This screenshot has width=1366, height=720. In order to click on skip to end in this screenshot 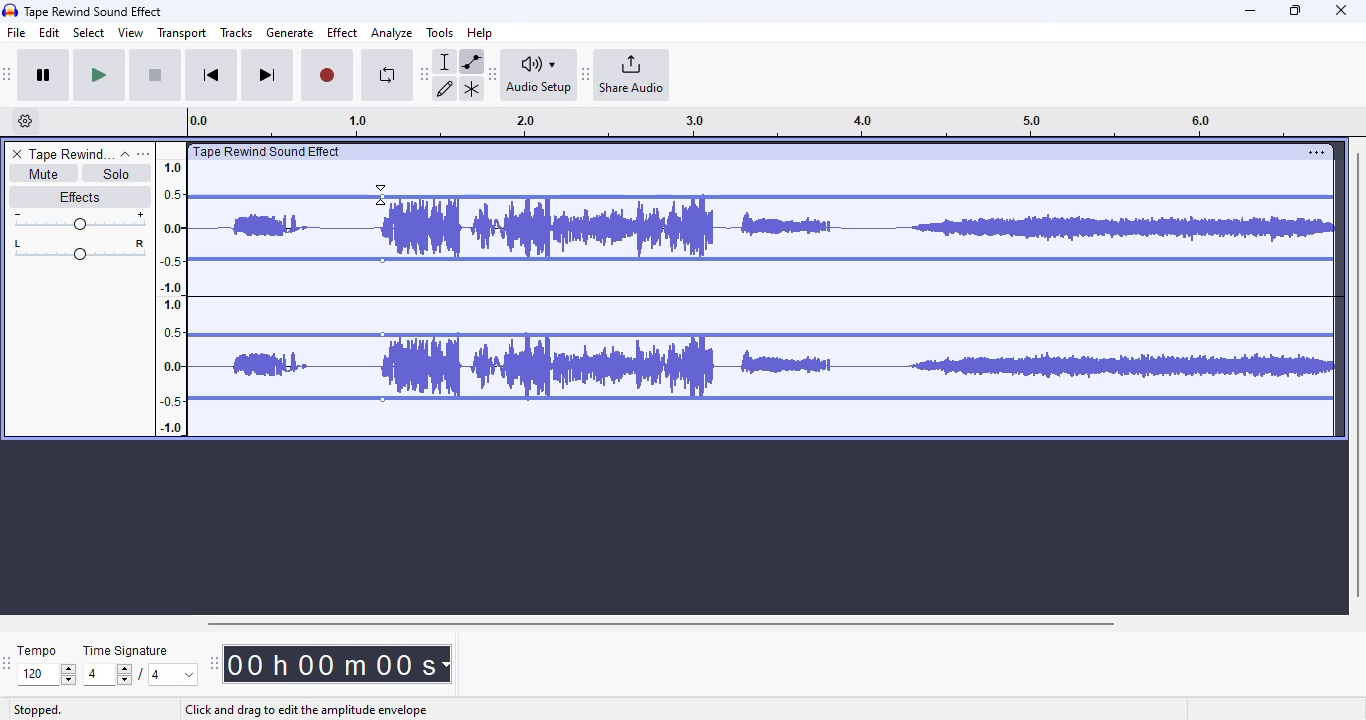, I will do `click(266, 76)`.